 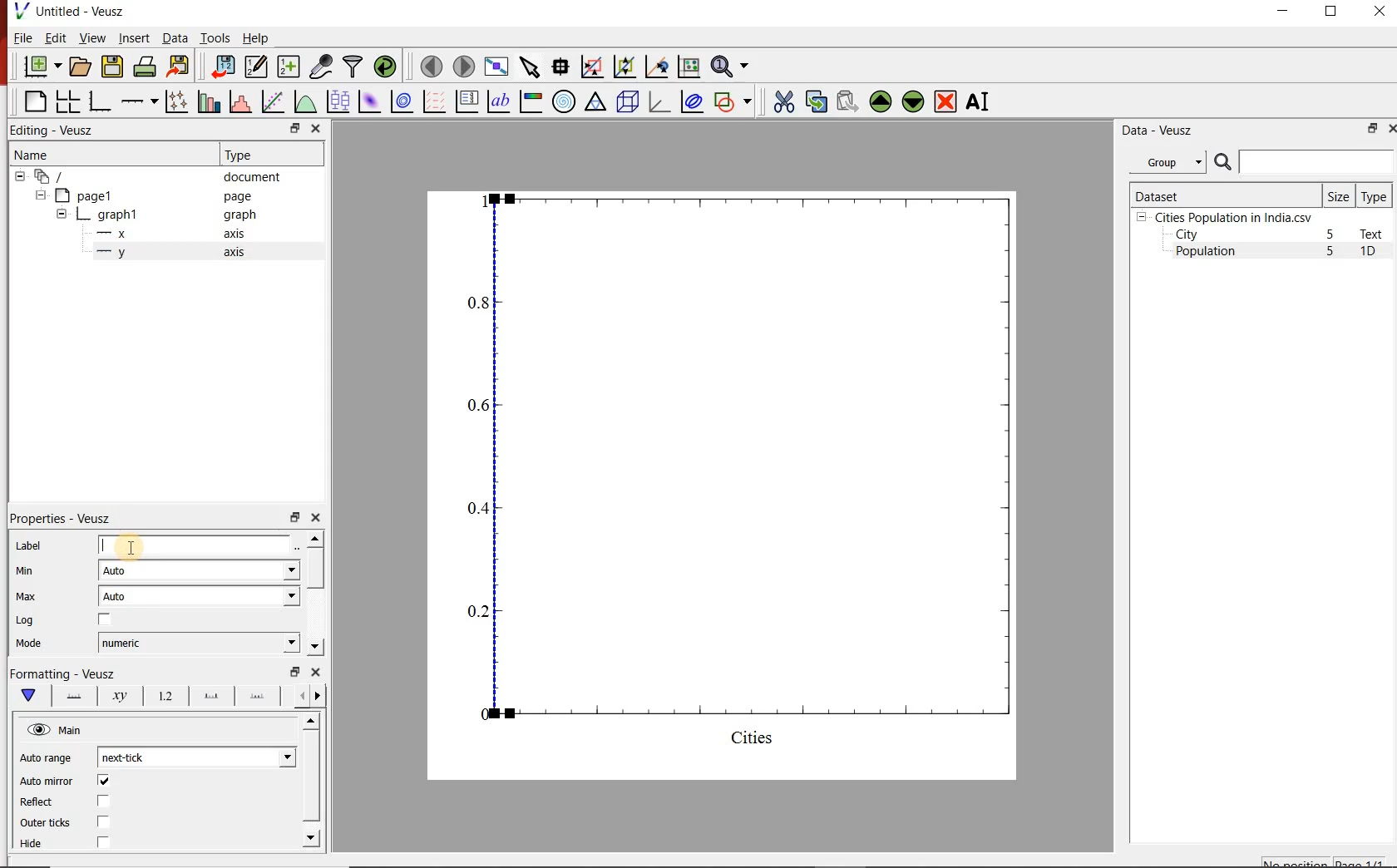 I want to click on Main formatting, so click(x=32, y=696).